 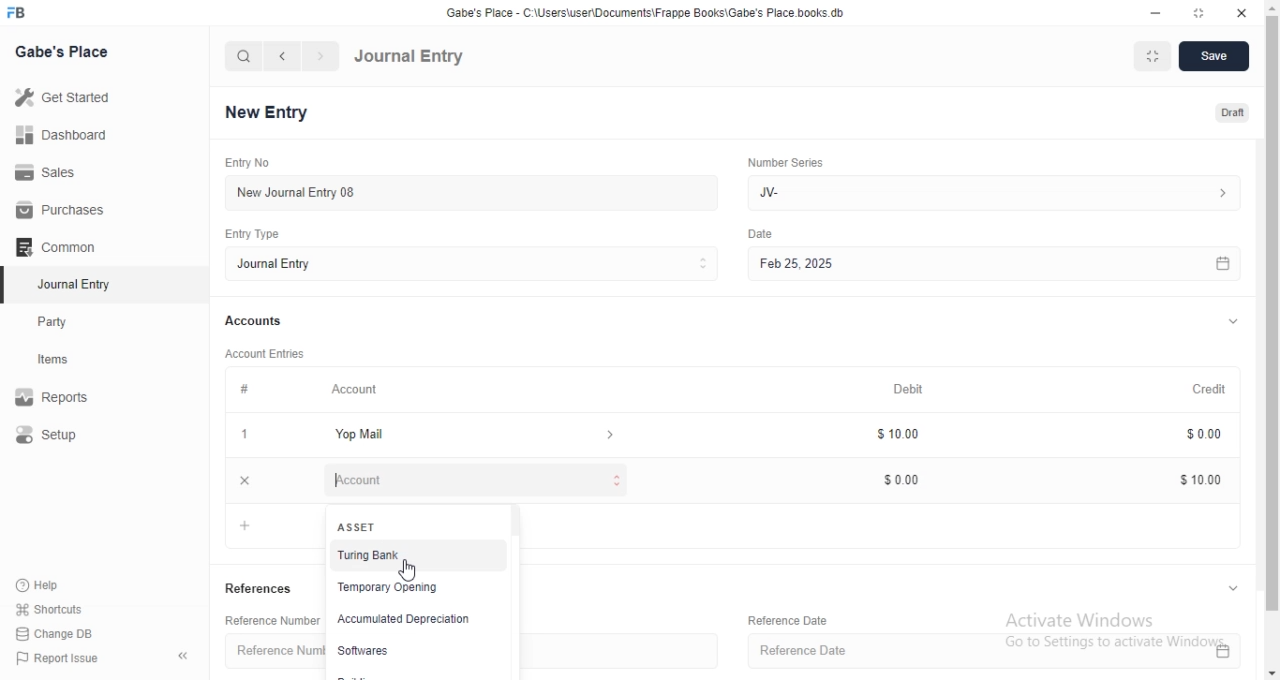 I want to click on search, so click(x=244, y=57).